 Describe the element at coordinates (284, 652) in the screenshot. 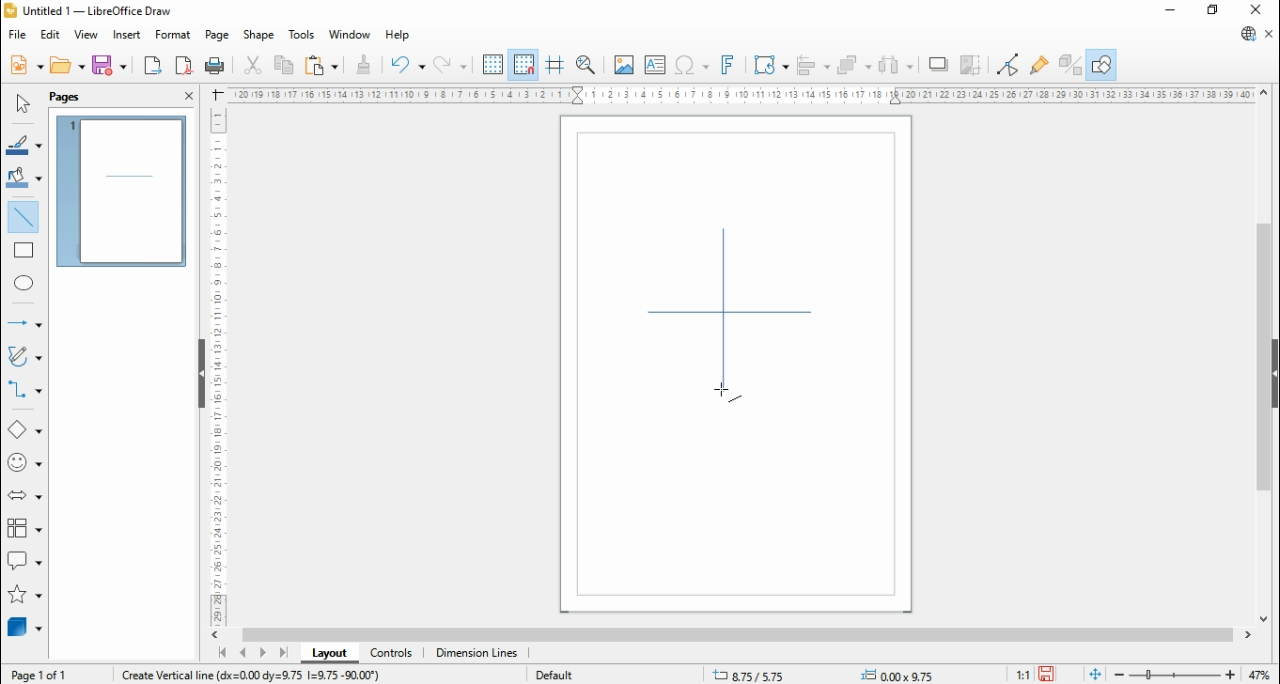

I see `last page` at that location.